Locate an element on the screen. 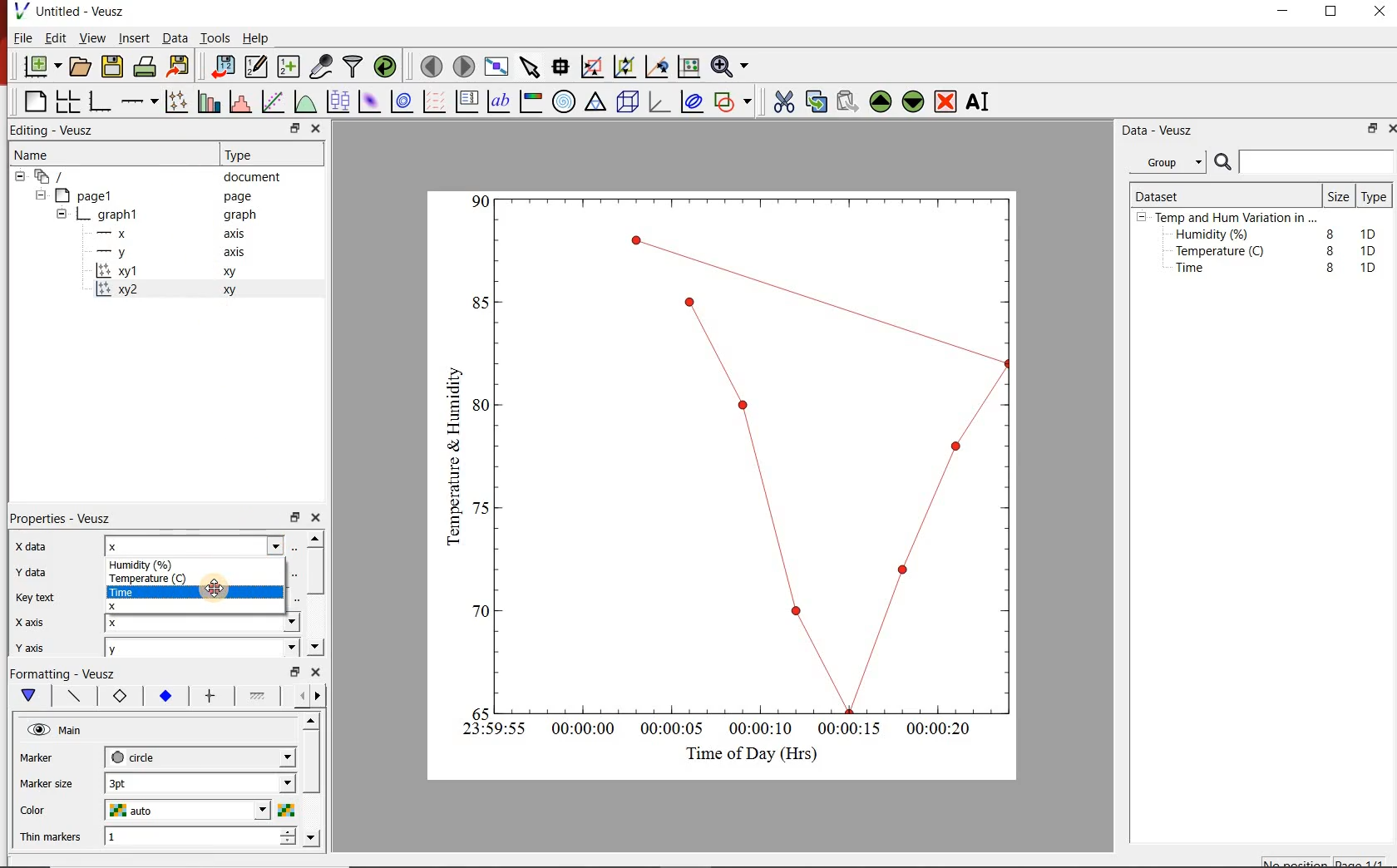 This screenshot has height=868, width=1397. graph is located at coordinates (239, 216).